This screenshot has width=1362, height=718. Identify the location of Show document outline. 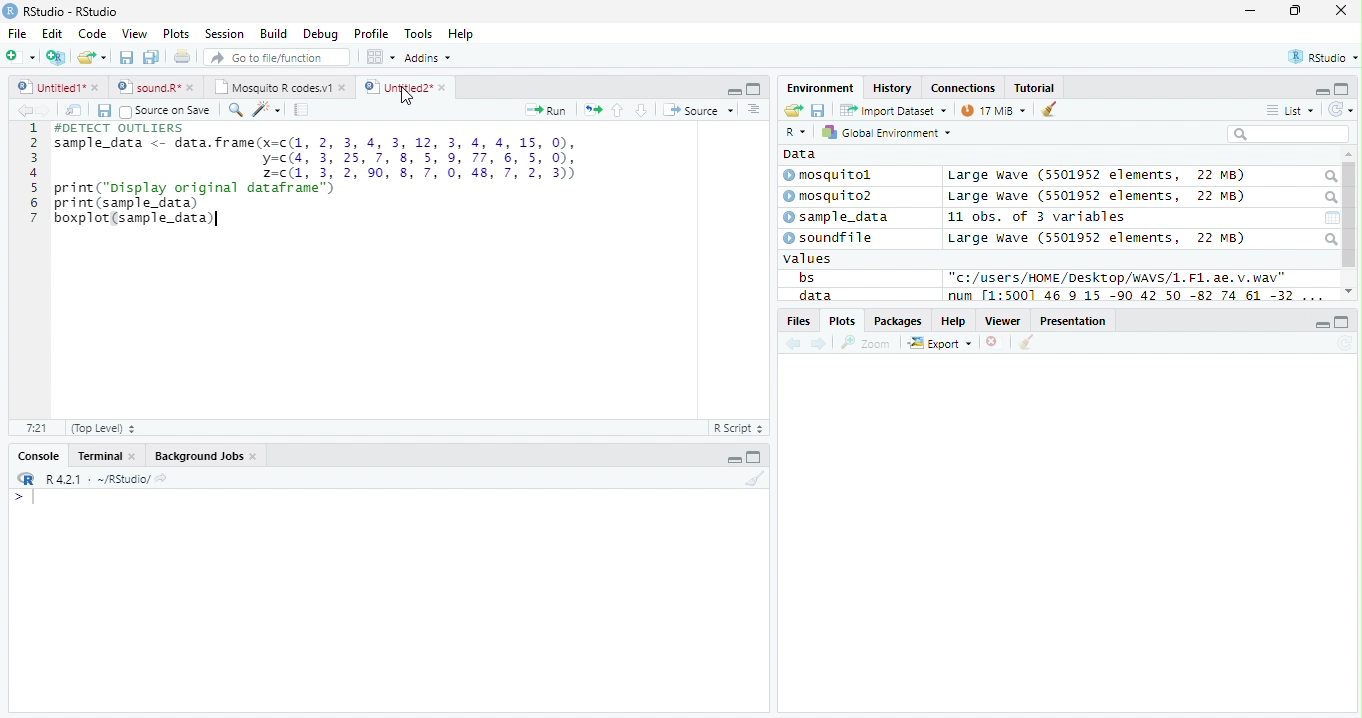
(753, 109).